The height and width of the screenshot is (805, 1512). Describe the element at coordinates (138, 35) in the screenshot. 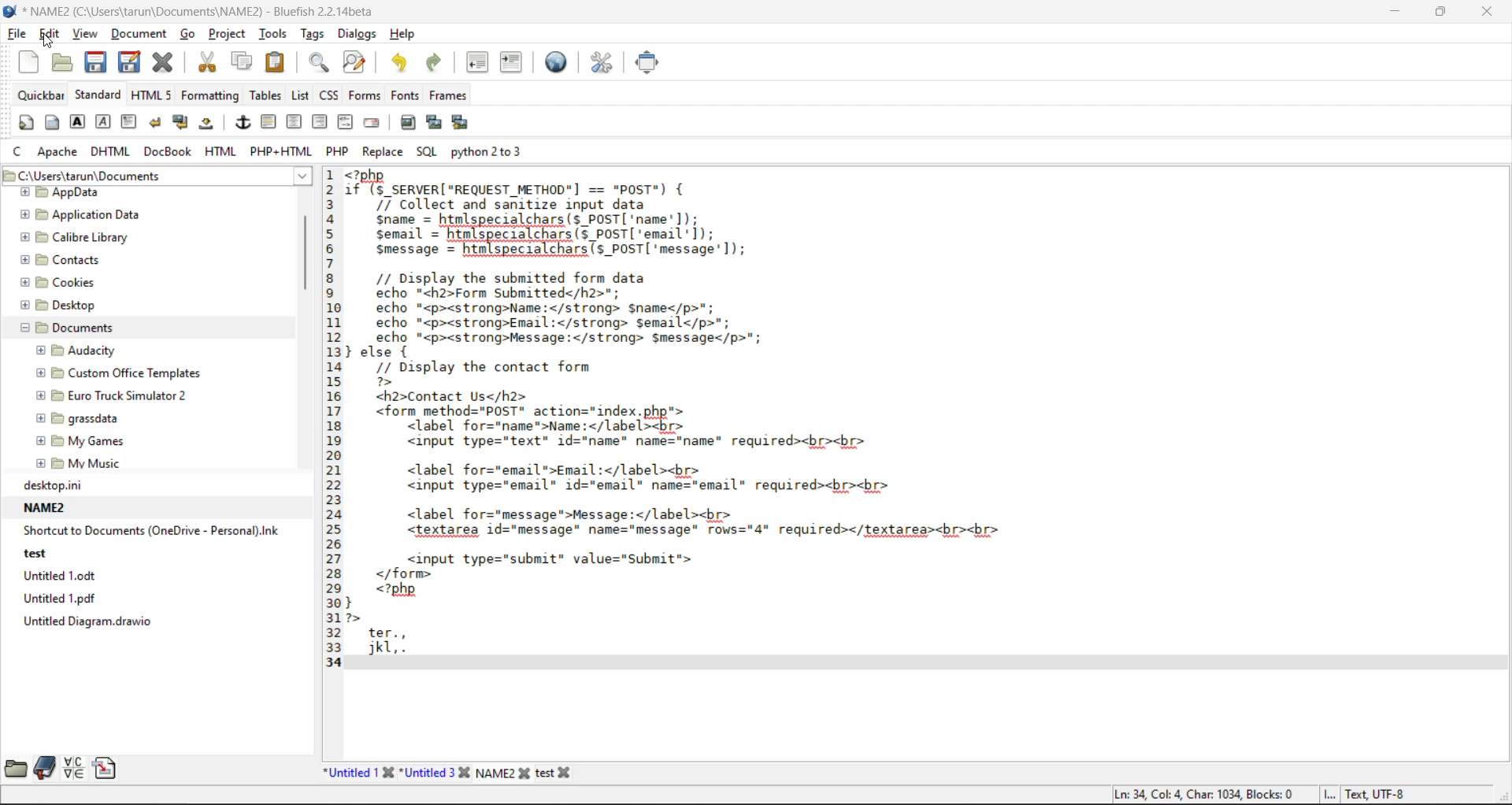

I see `document` at that location.